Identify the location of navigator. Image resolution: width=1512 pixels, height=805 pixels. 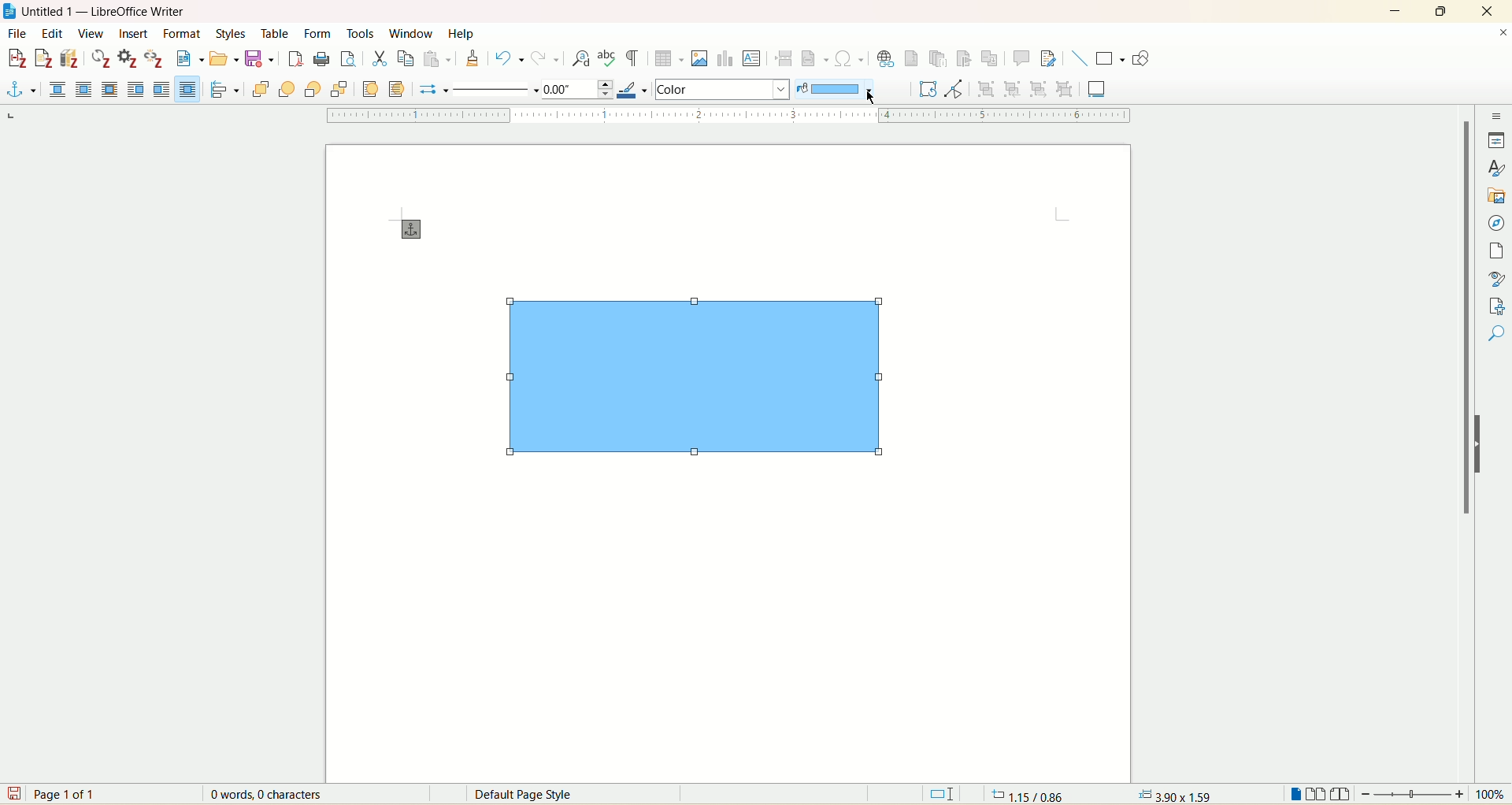
(1498, 225).